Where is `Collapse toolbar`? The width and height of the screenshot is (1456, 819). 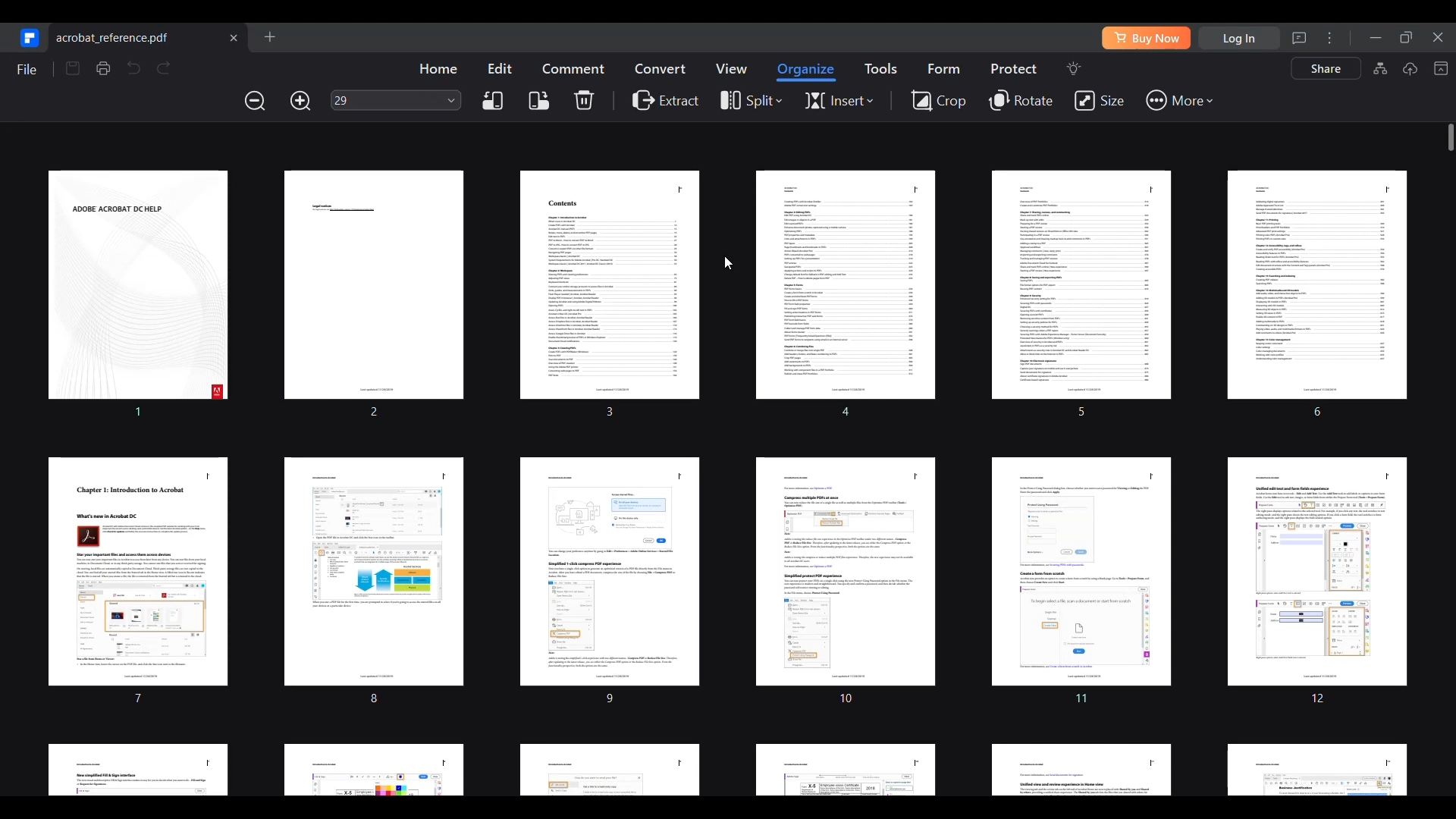 Collapse toolbar is located at coordinates (1440, 68).